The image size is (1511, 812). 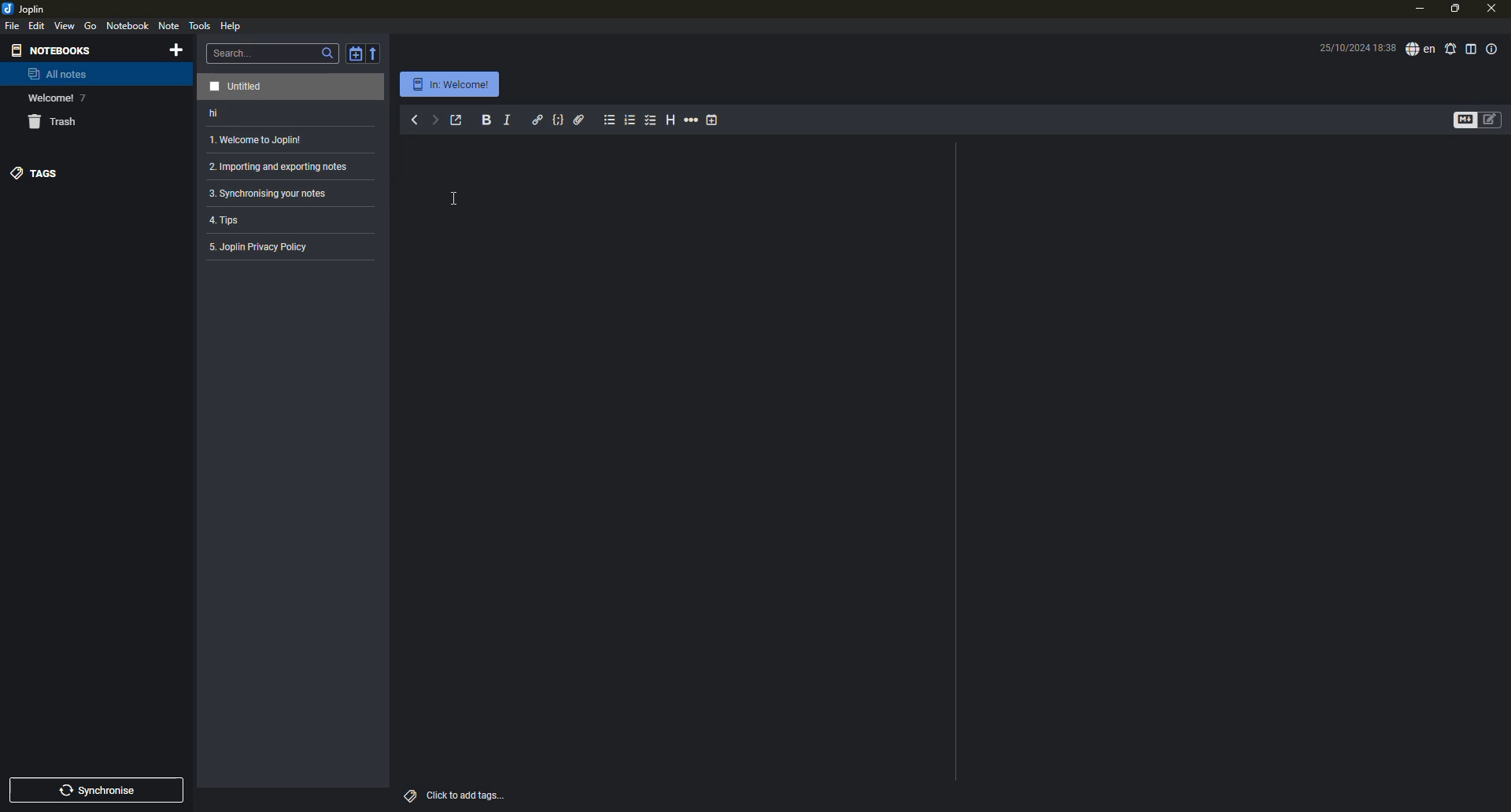 What do you see at coordinates (413, 119) in the screenshot?
I see `back` at bounding box center [413, 119].